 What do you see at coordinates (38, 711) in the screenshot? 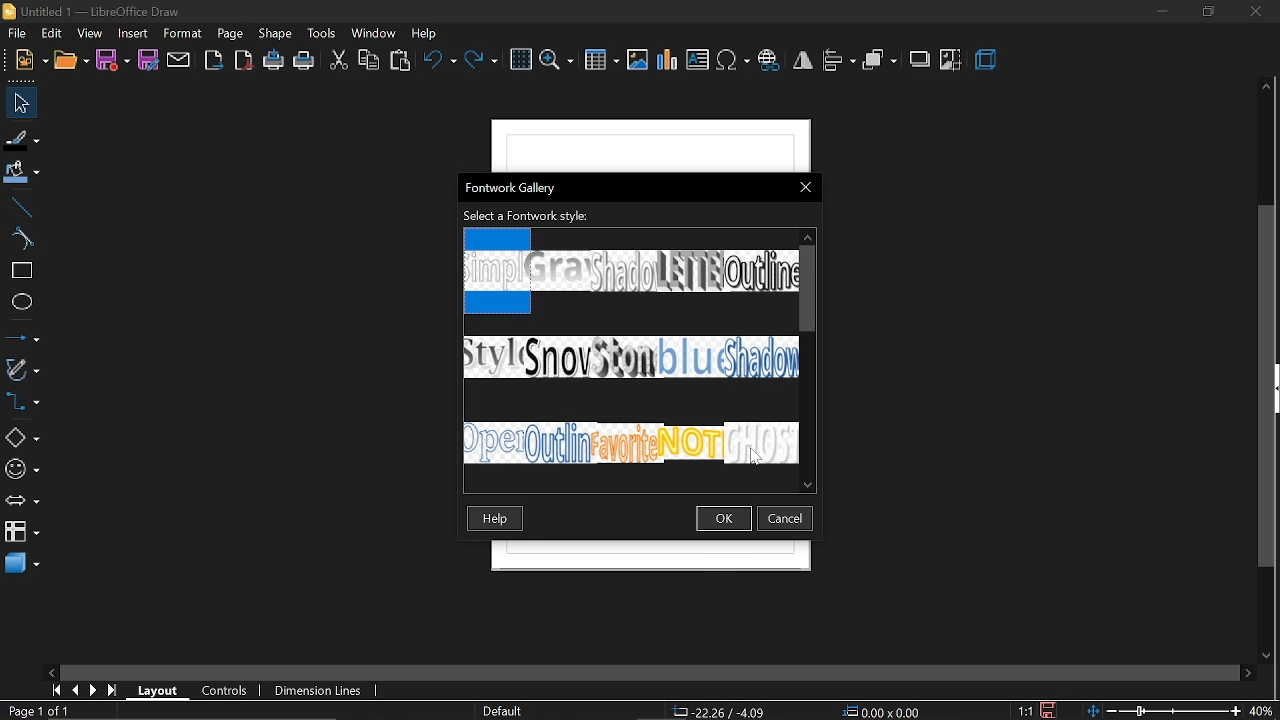
I see `Page 1 of 1` at bounding box center [38, 711].